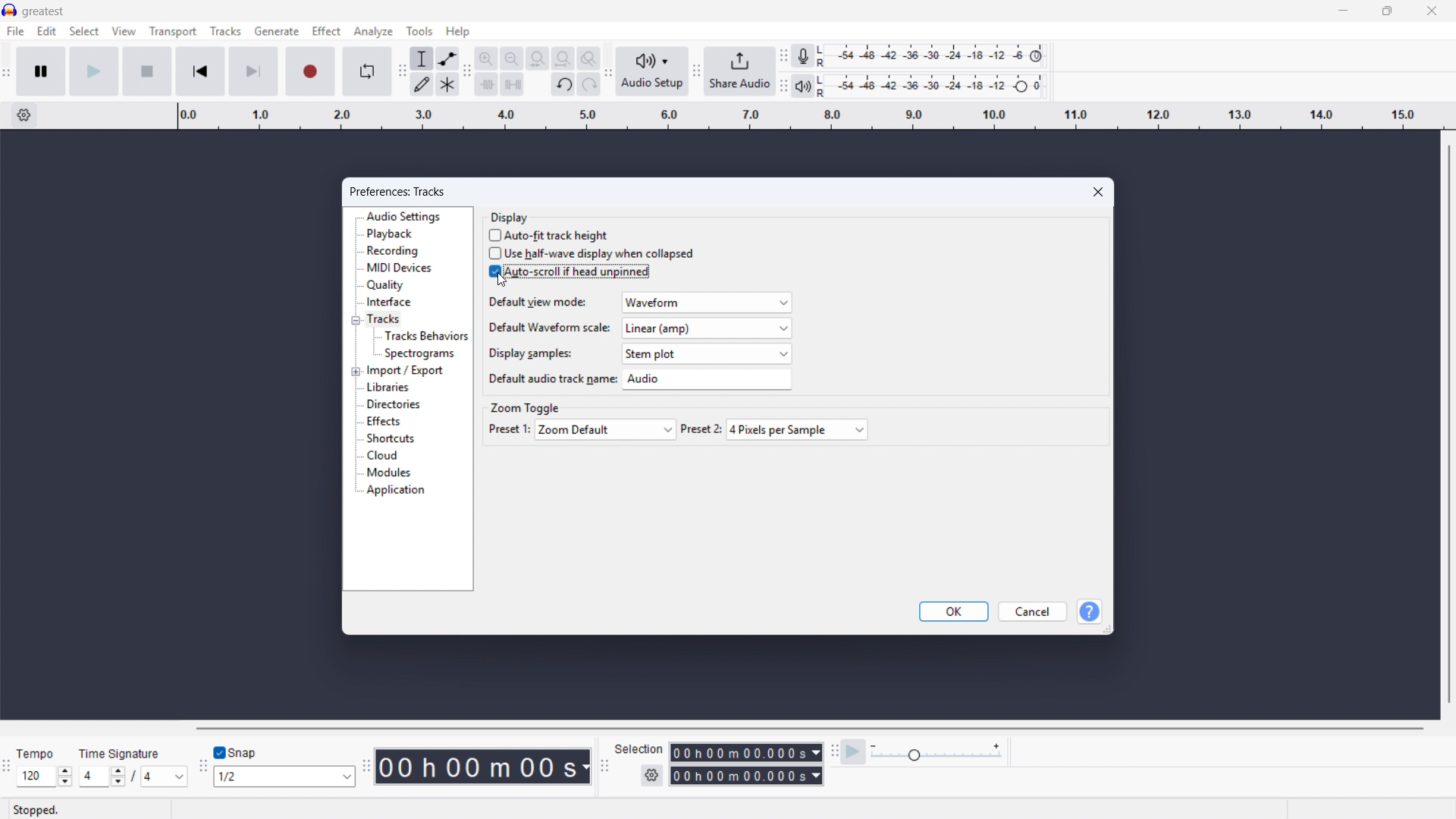  Describe the element at coordinates (589, 58) in the screenshot. I see `Toggle zoom ` at that location.